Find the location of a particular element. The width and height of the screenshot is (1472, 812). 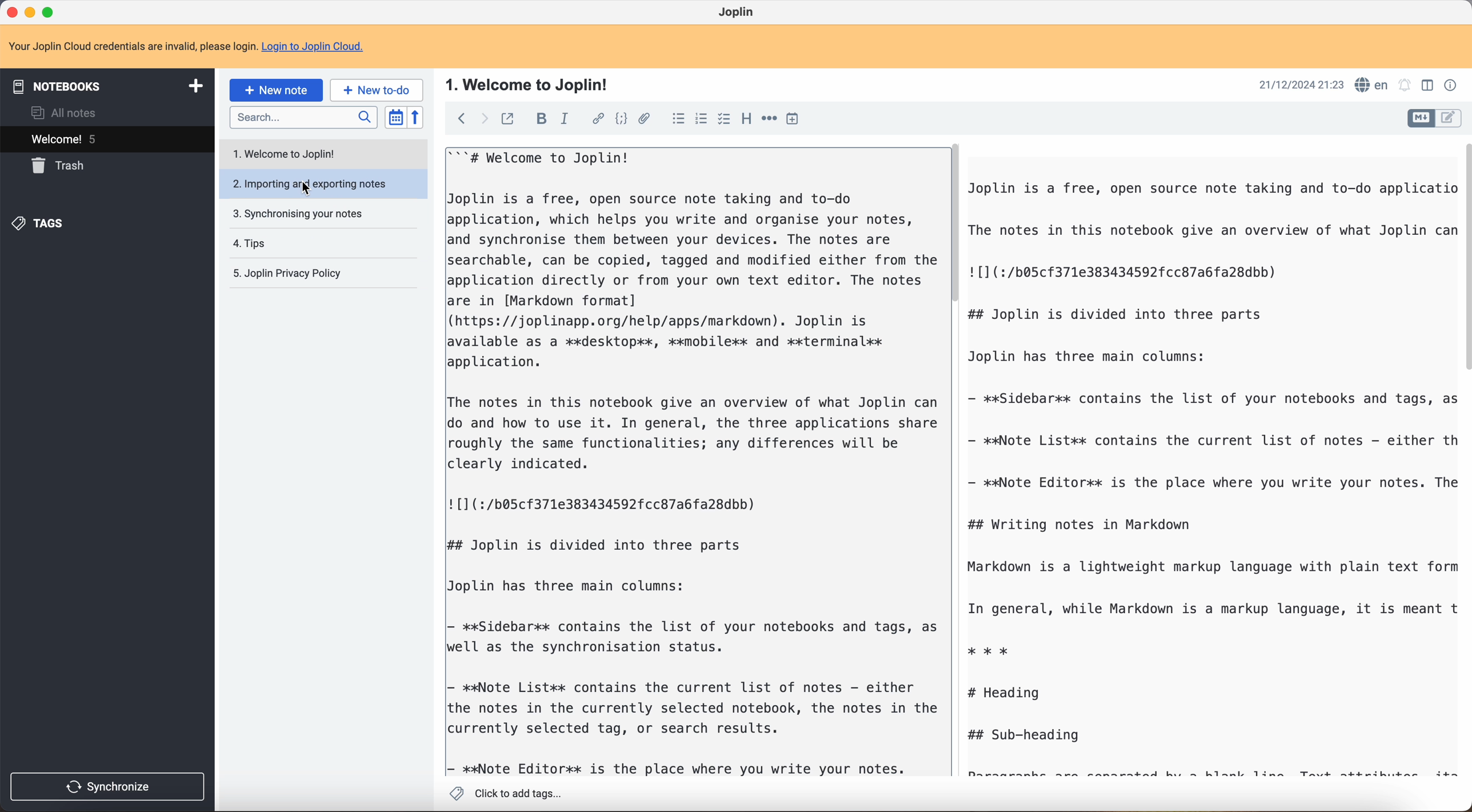

trash is located at coordinates (62, 166).